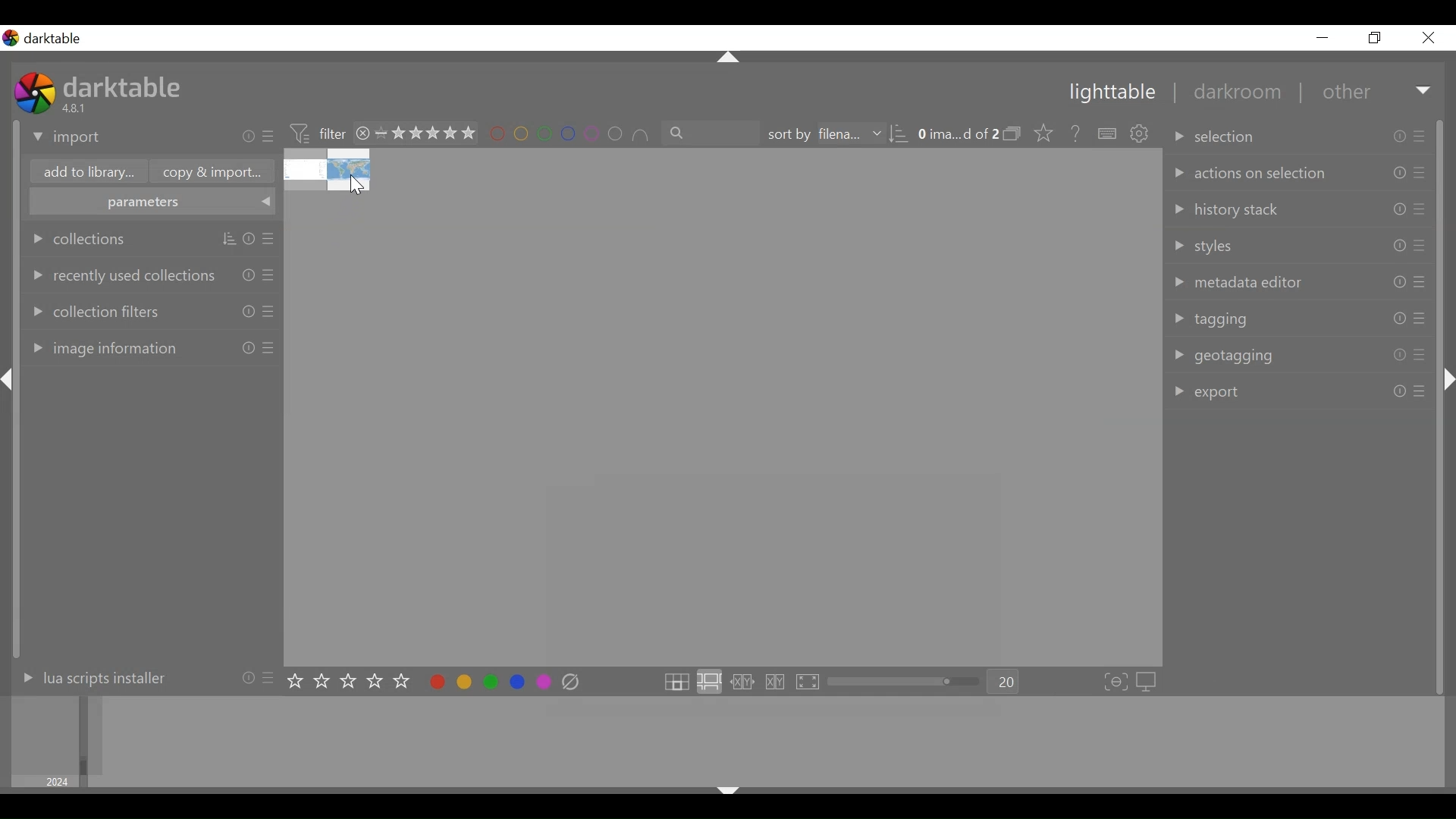 This screenshot has width=1456, height=819. Describe the element at coordinates (1257, 247) in the screenshot. I see `styles` at that location.